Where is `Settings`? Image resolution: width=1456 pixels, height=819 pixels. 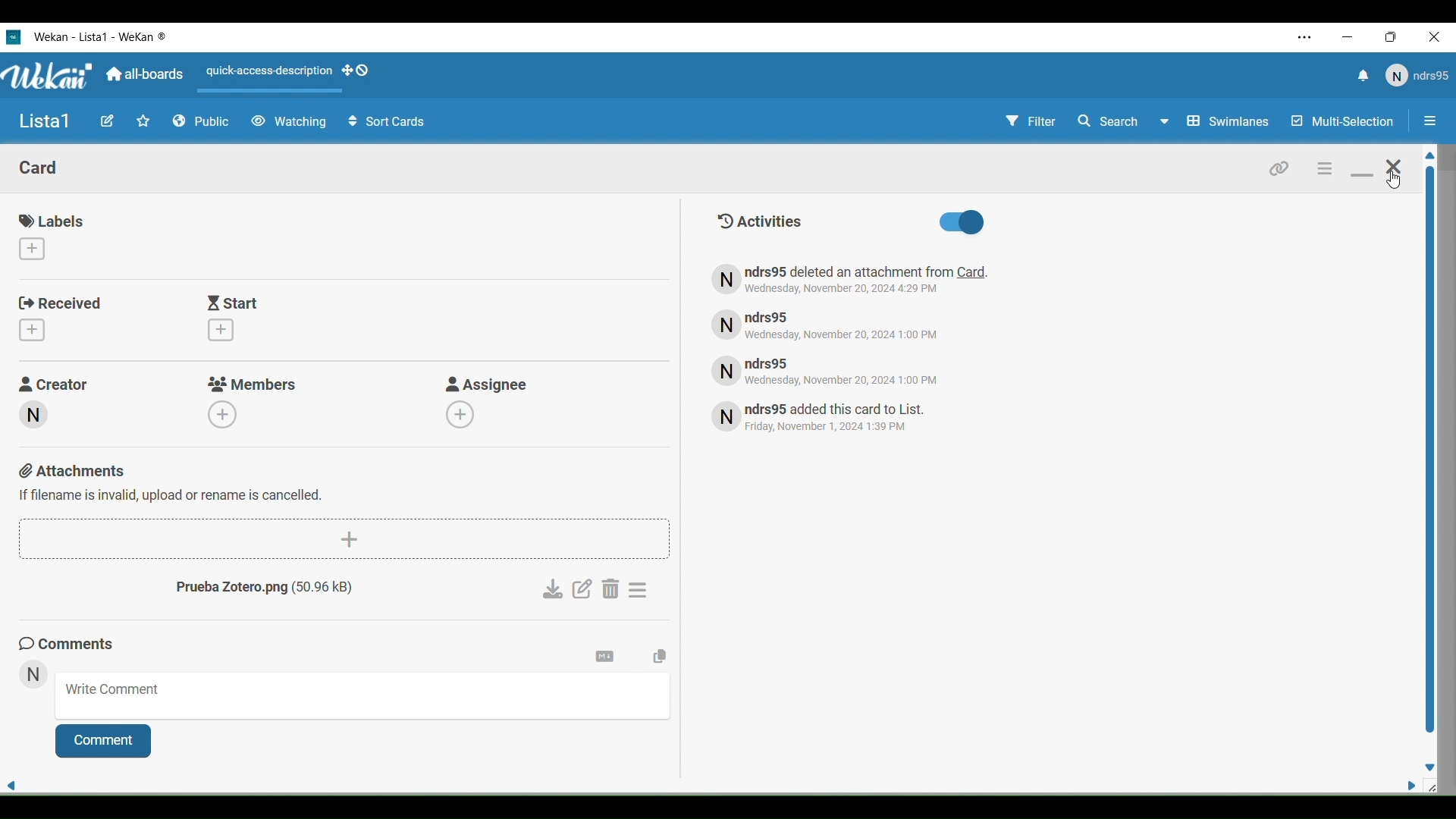 Settings is located at coordinates (1323, 168).